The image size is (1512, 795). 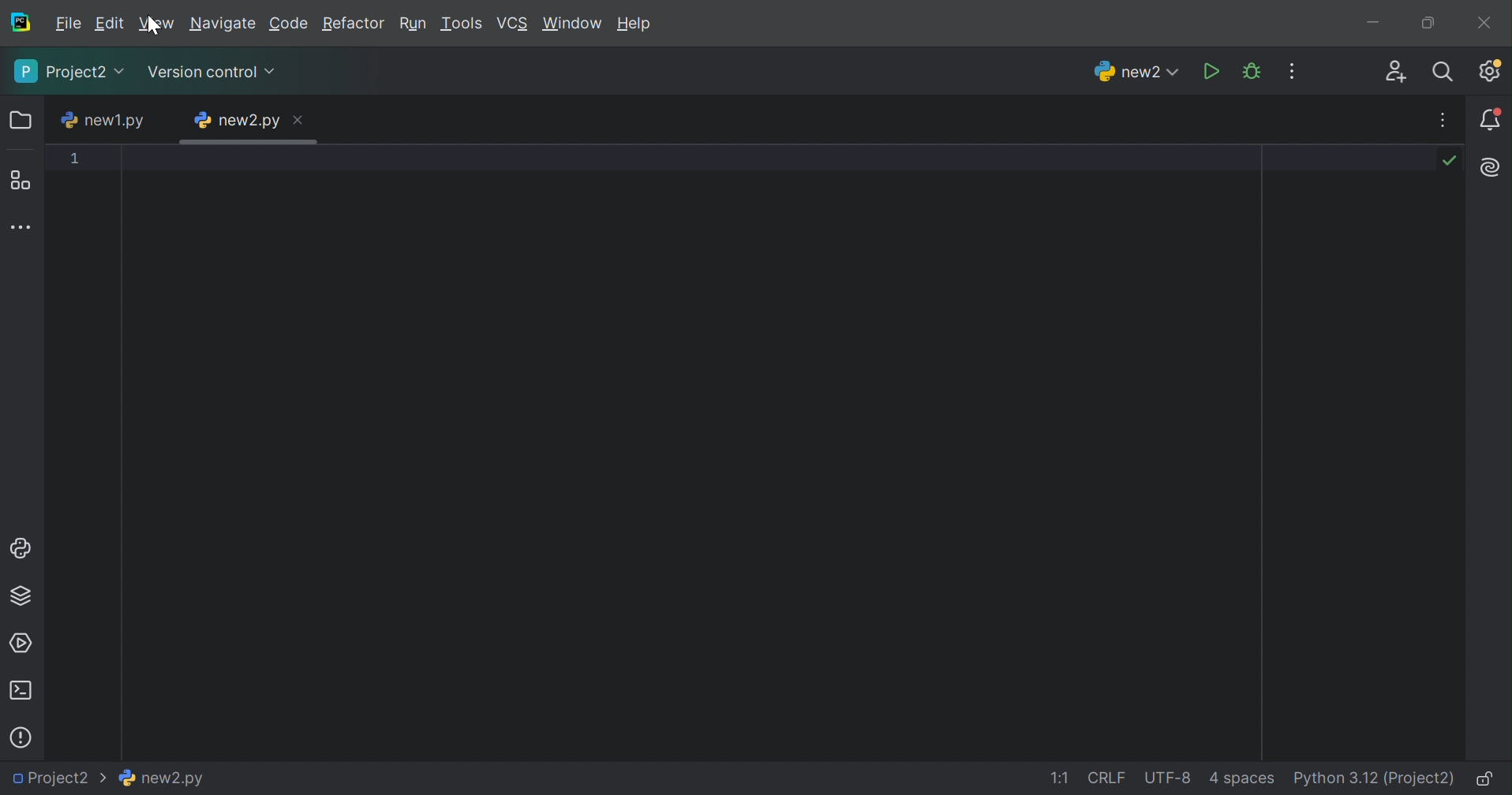 What do you see at coordinates (69, 72) in the screenshot?
I see `Project2` at bounding box center [69, 72].